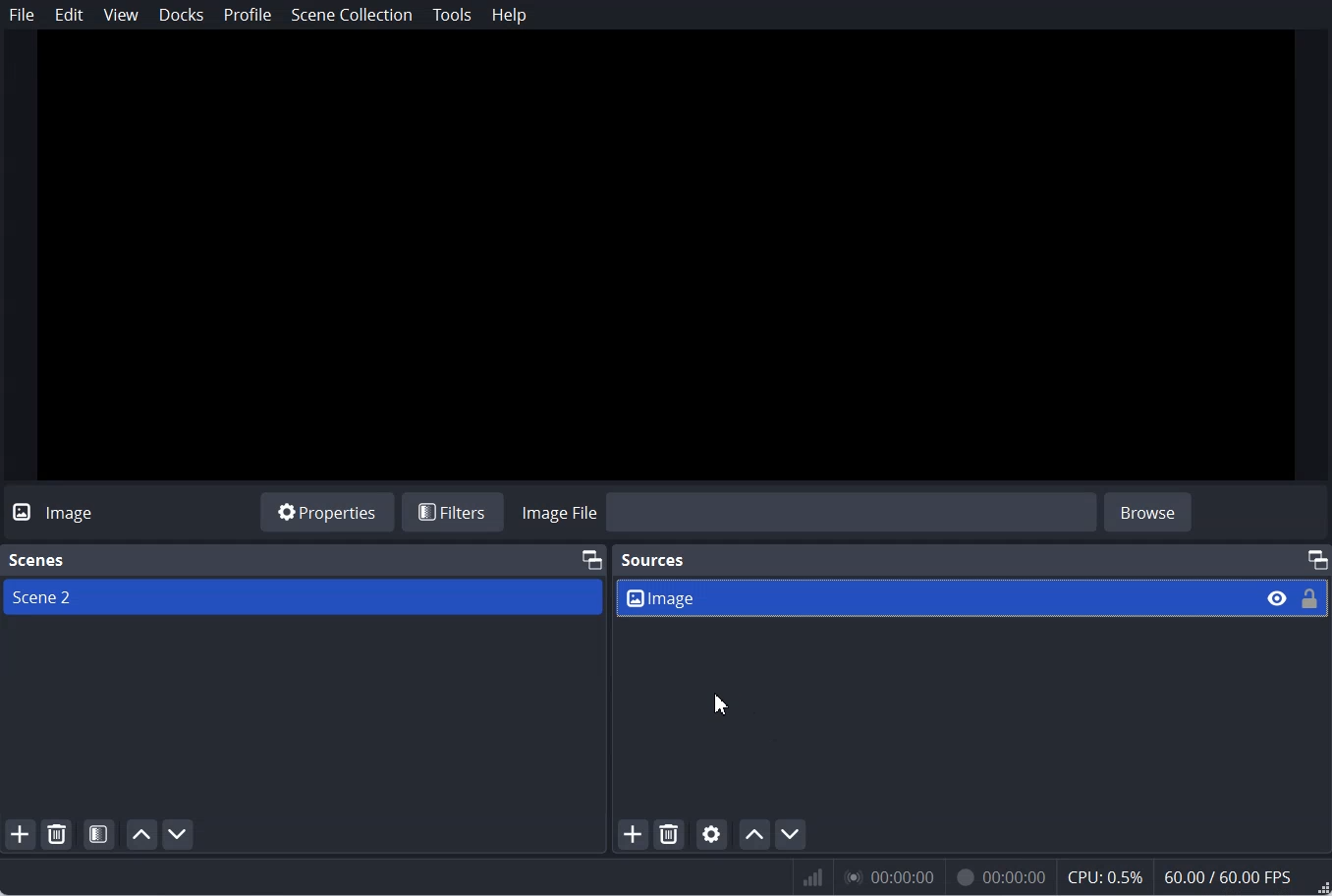 Image resolution: width=1332 pixels, height=896 pixels. What do you see at coordinates (37, 561) in the screenshot?
I see `Text` at bounding box center [37, 561].